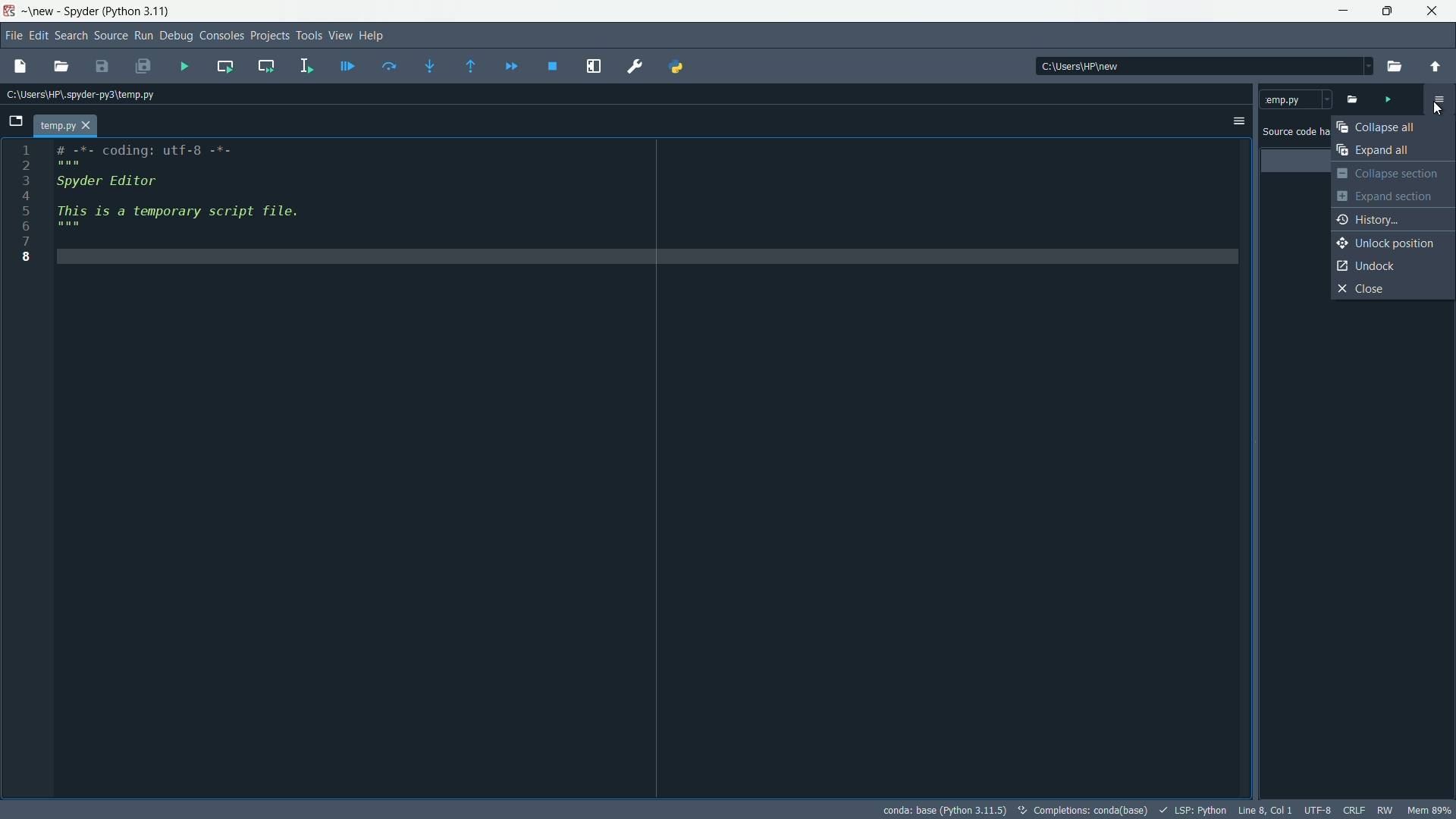 This screenshot has height=819, width=1456. Describe the element at coordinates (20, 66) in the screenshot. I see `new file` at that location.